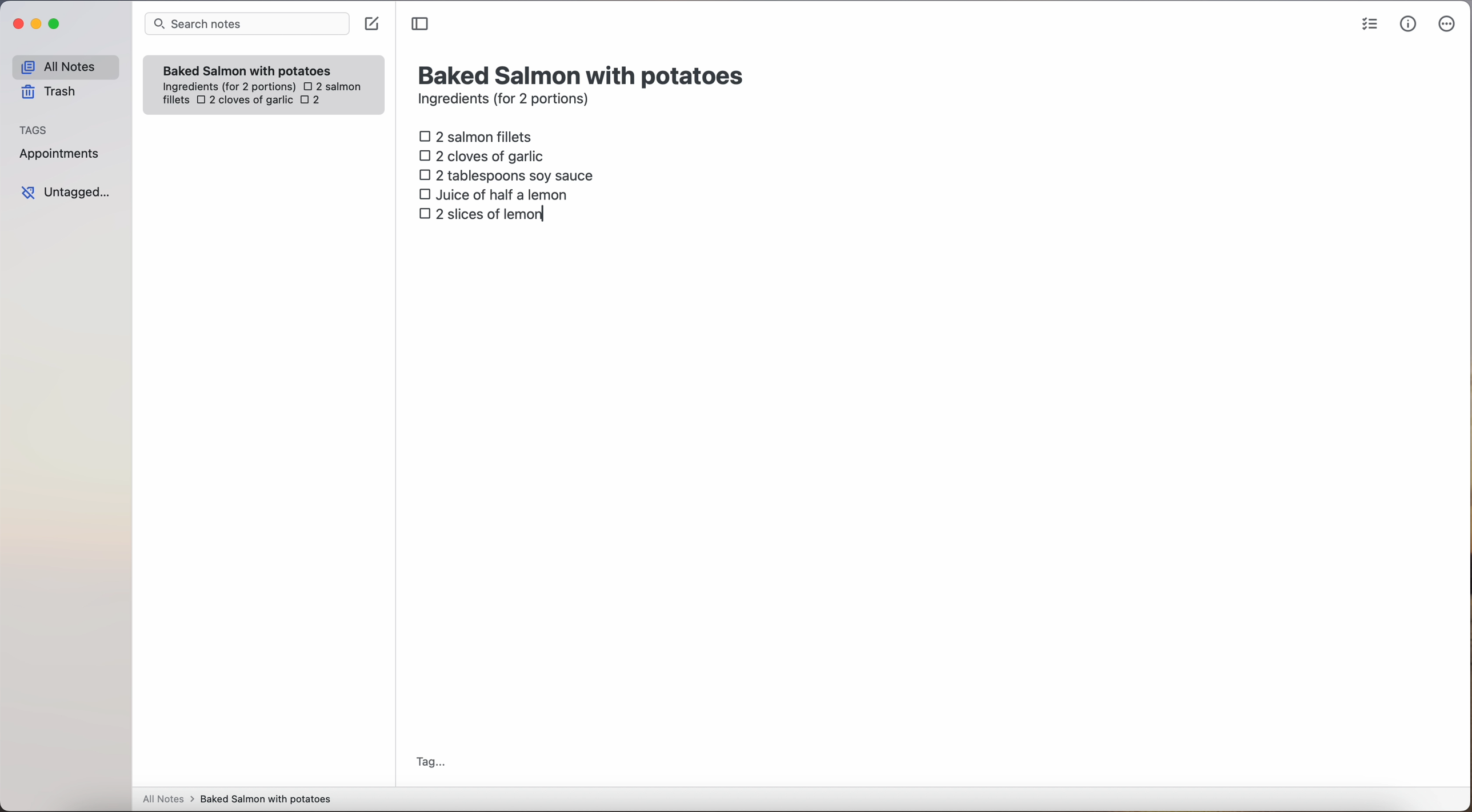  Describe the element at coordinates (430, 763) in the screenshot. I see `tag` at that location.